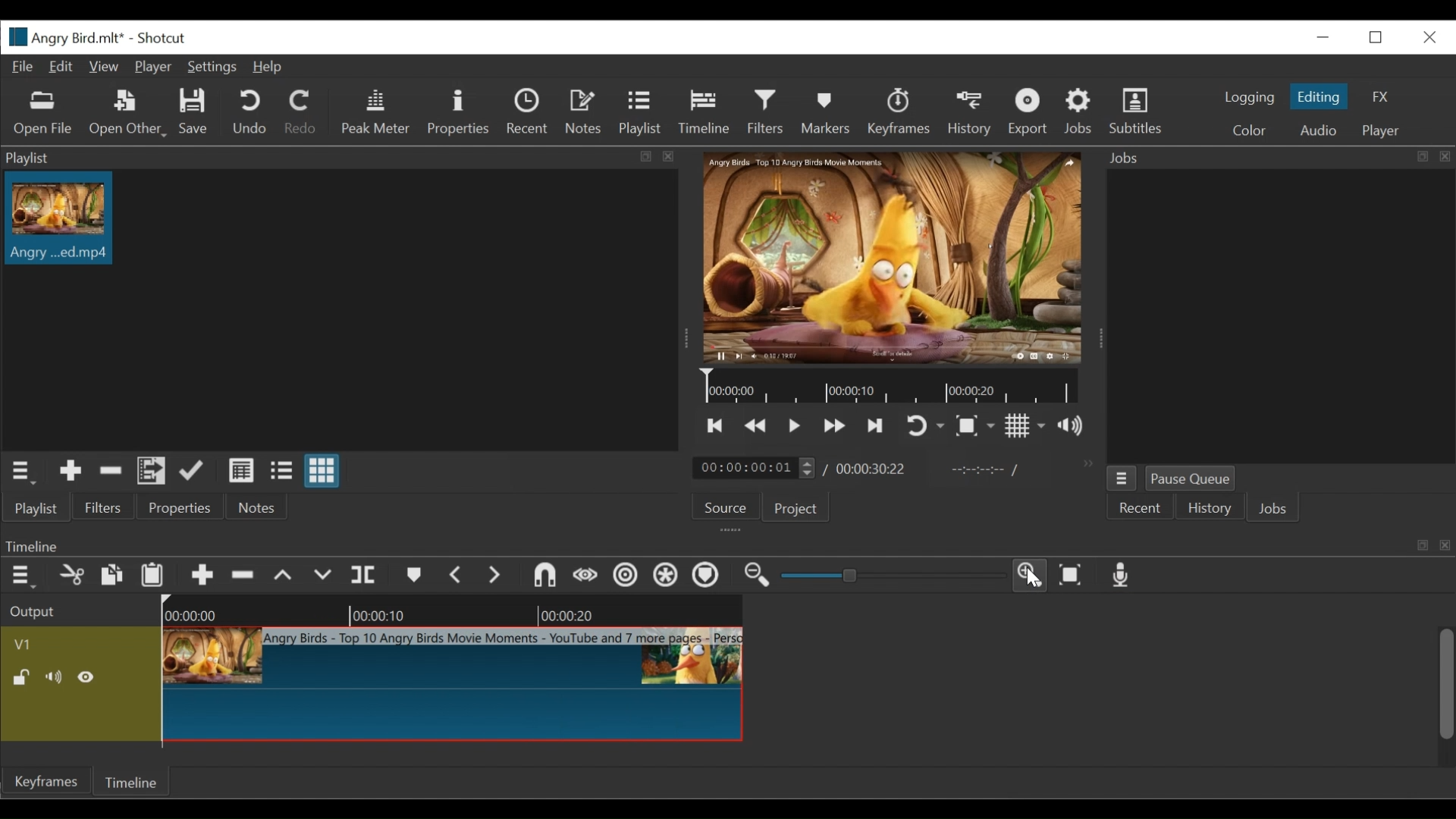 The width and height of the screenshot is (1456, 819). I want to click on Jobs, so click(1273, 507).